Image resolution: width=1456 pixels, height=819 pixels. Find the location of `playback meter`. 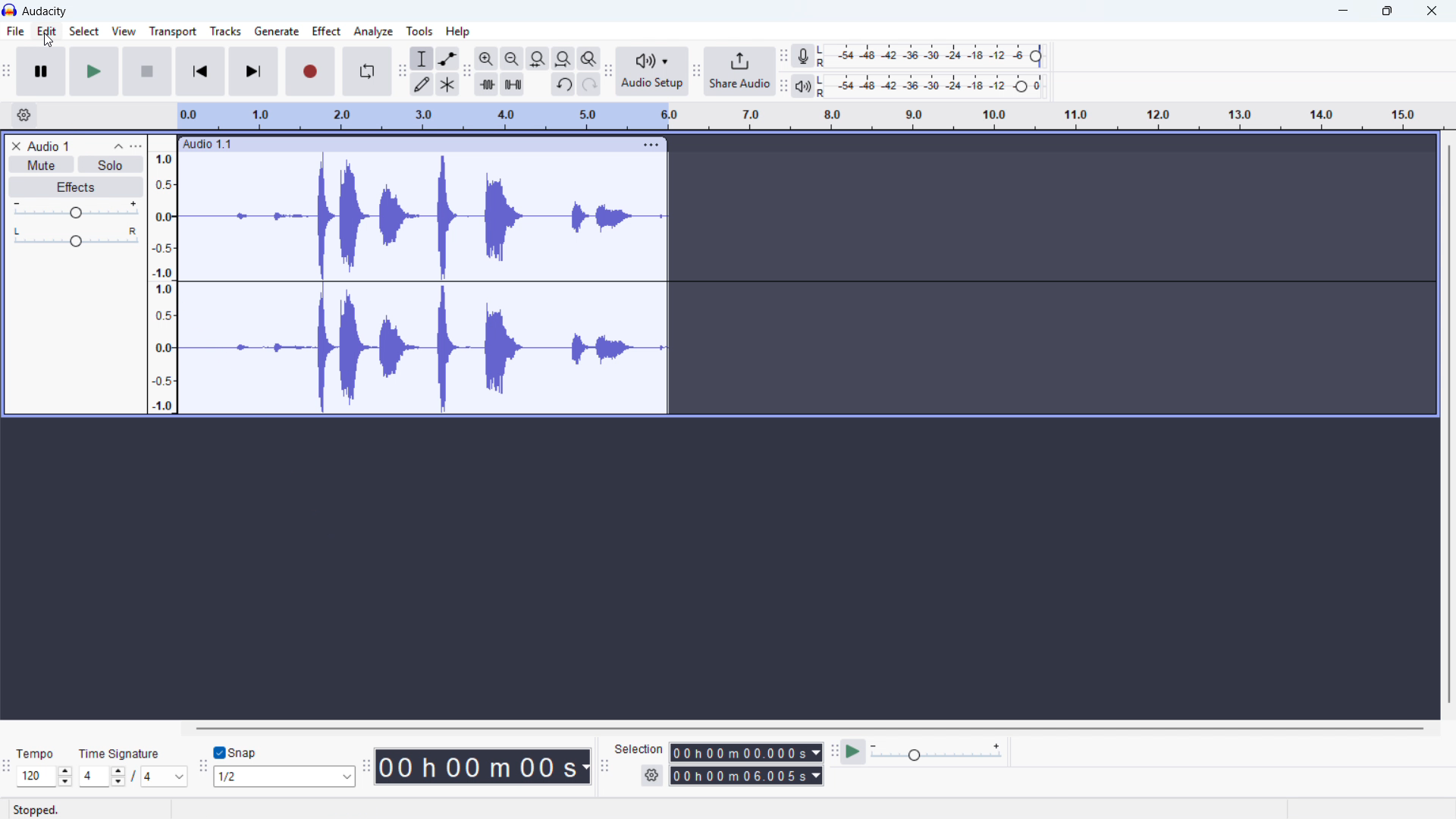

playback meter is located at coordinates (803, 86).